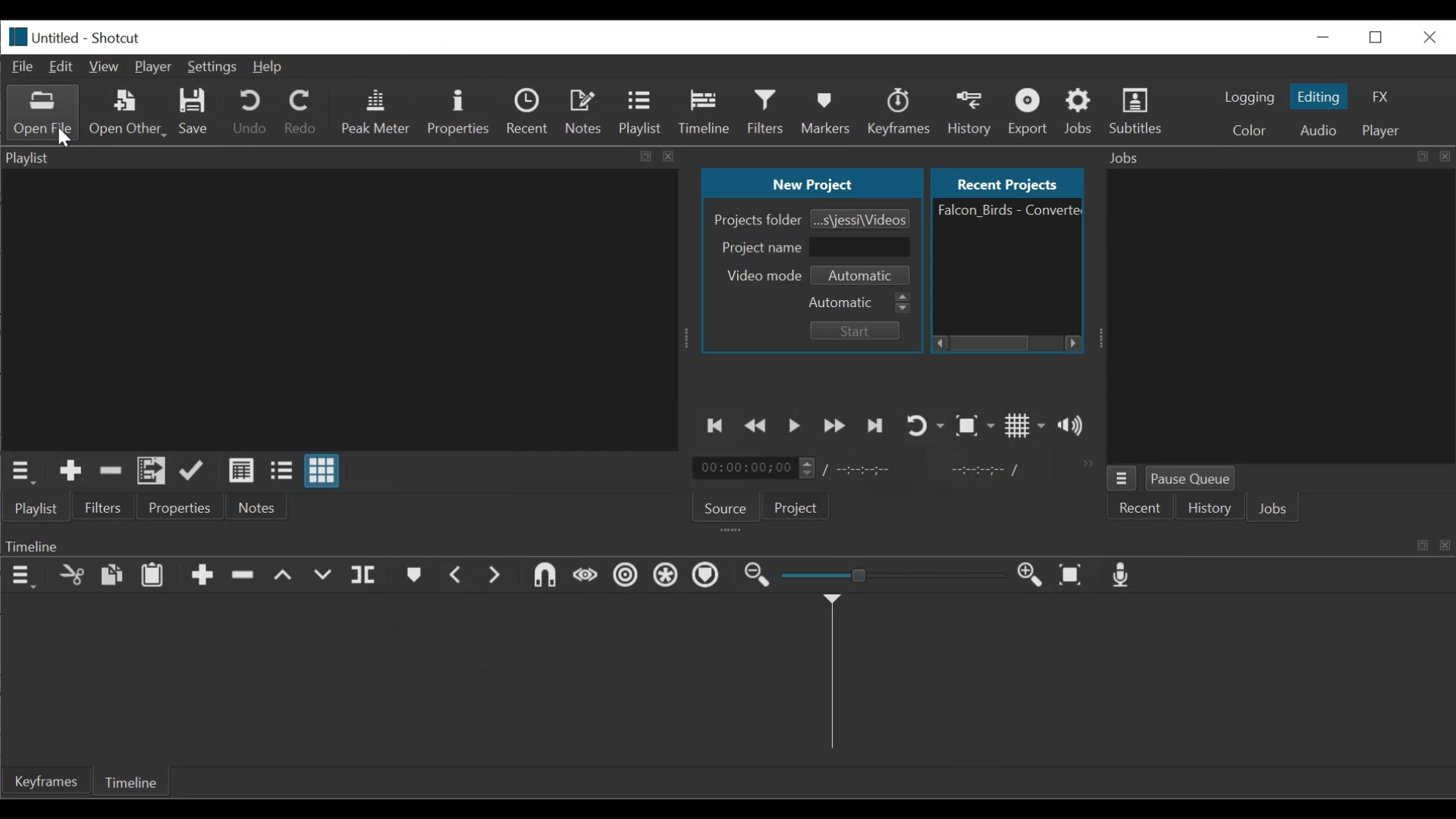 This screenshot has height=819, width=1456. Describe the element at coordinates (71, 576) in the screenshot. I see `Cut` at that location.